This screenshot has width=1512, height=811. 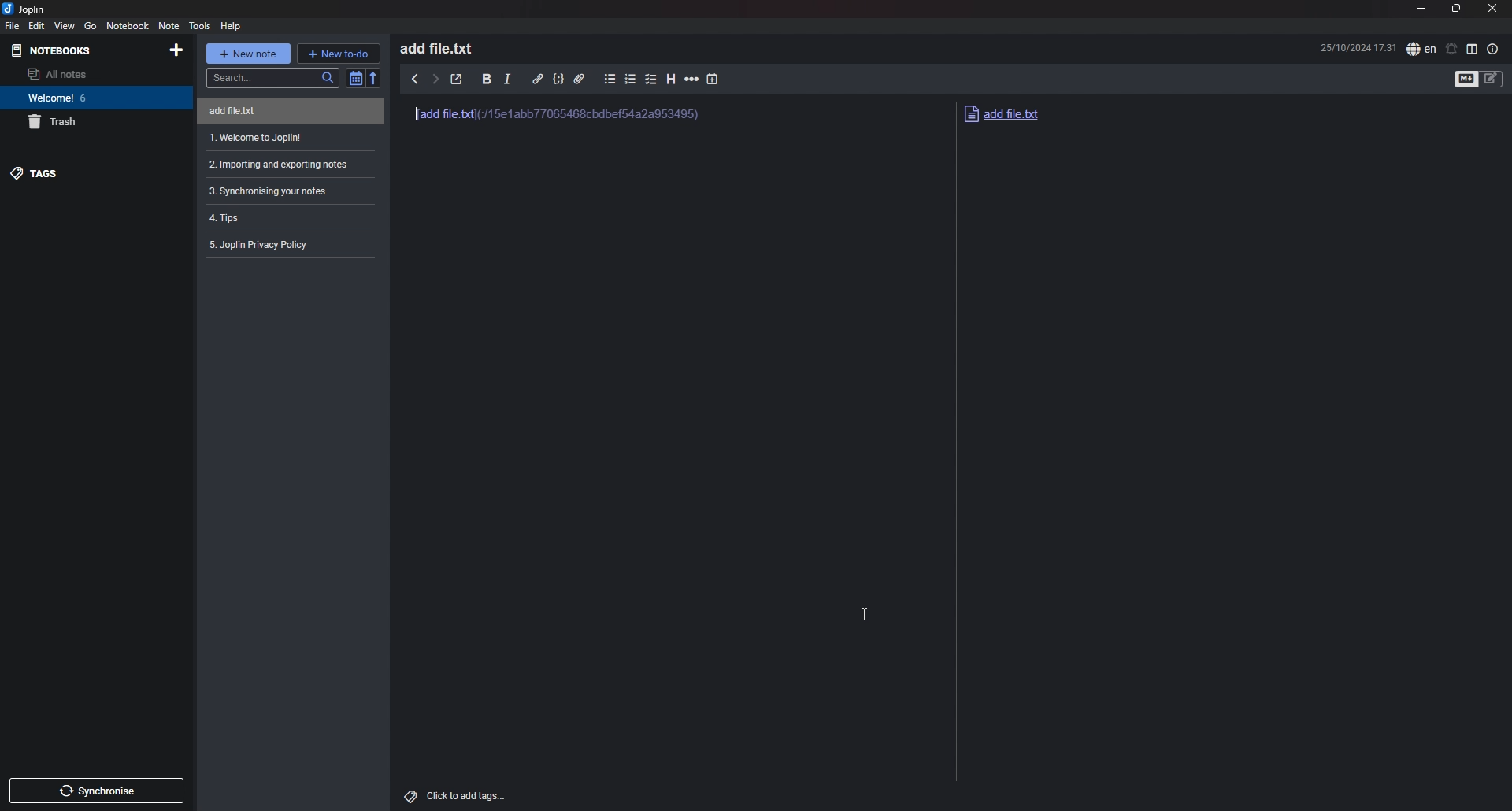 I want to click on add file txt, so click(x=284, y=111).